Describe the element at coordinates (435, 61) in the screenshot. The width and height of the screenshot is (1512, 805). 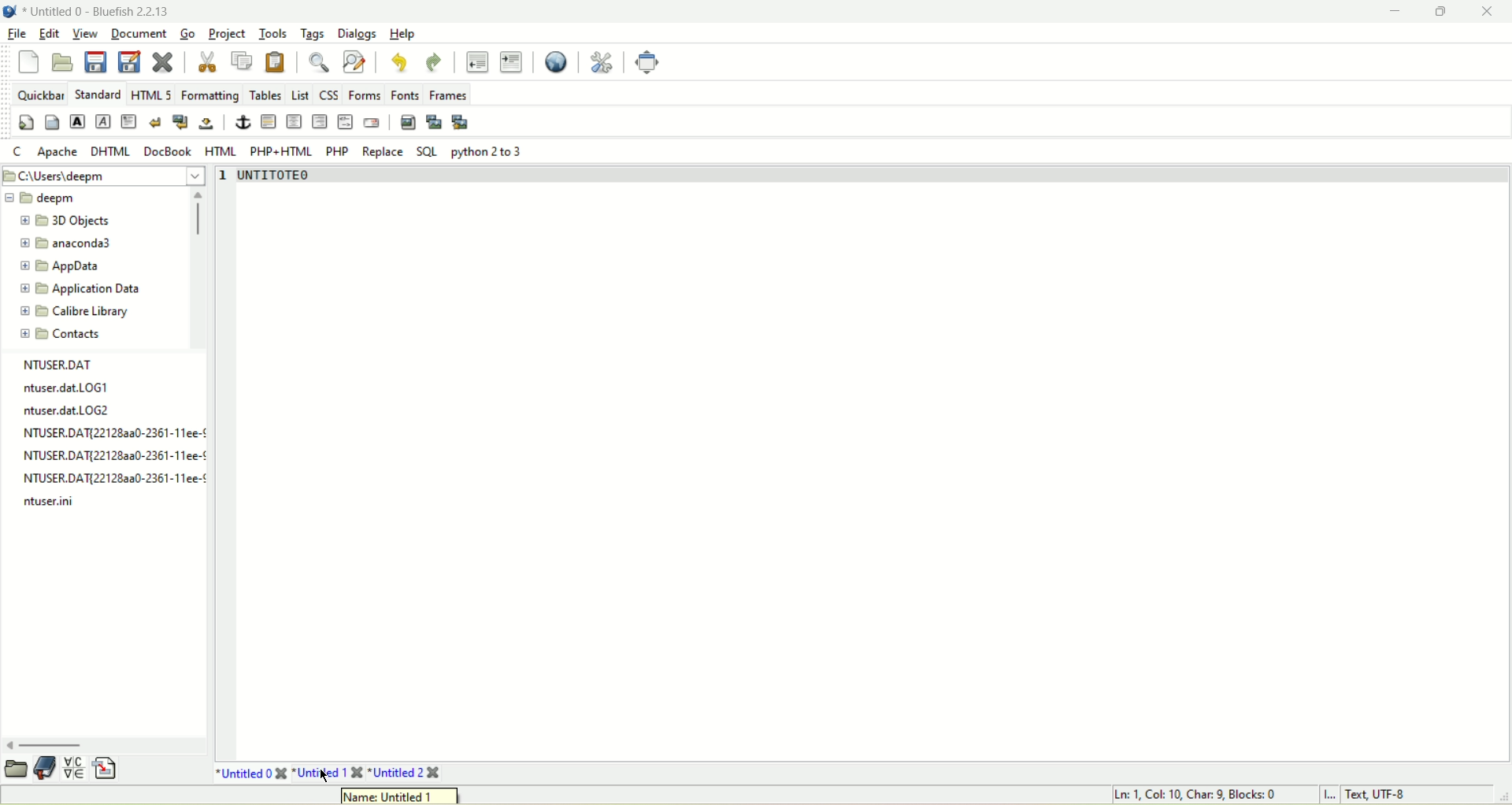
I see `redo` at that location.